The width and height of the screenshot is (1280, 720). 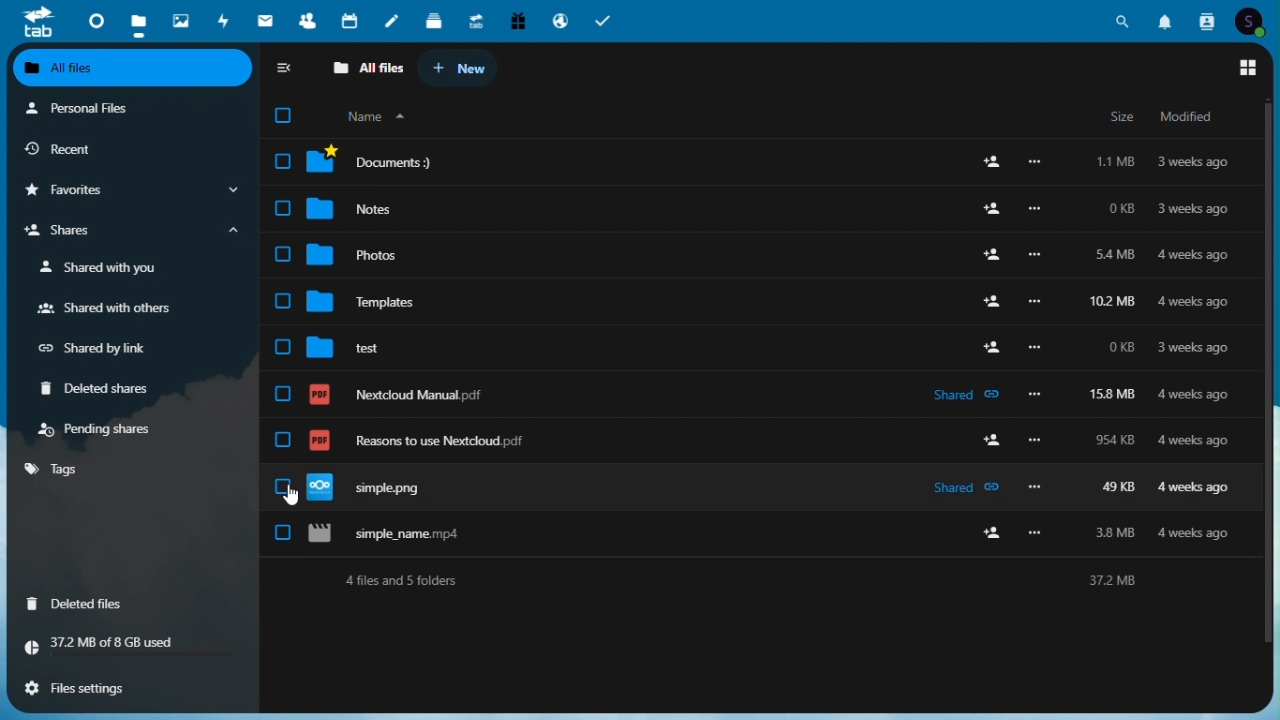 What do you see at coordinates (120, 110) in the screenshot?
I see `personal files` at bounding box center [120, 110].